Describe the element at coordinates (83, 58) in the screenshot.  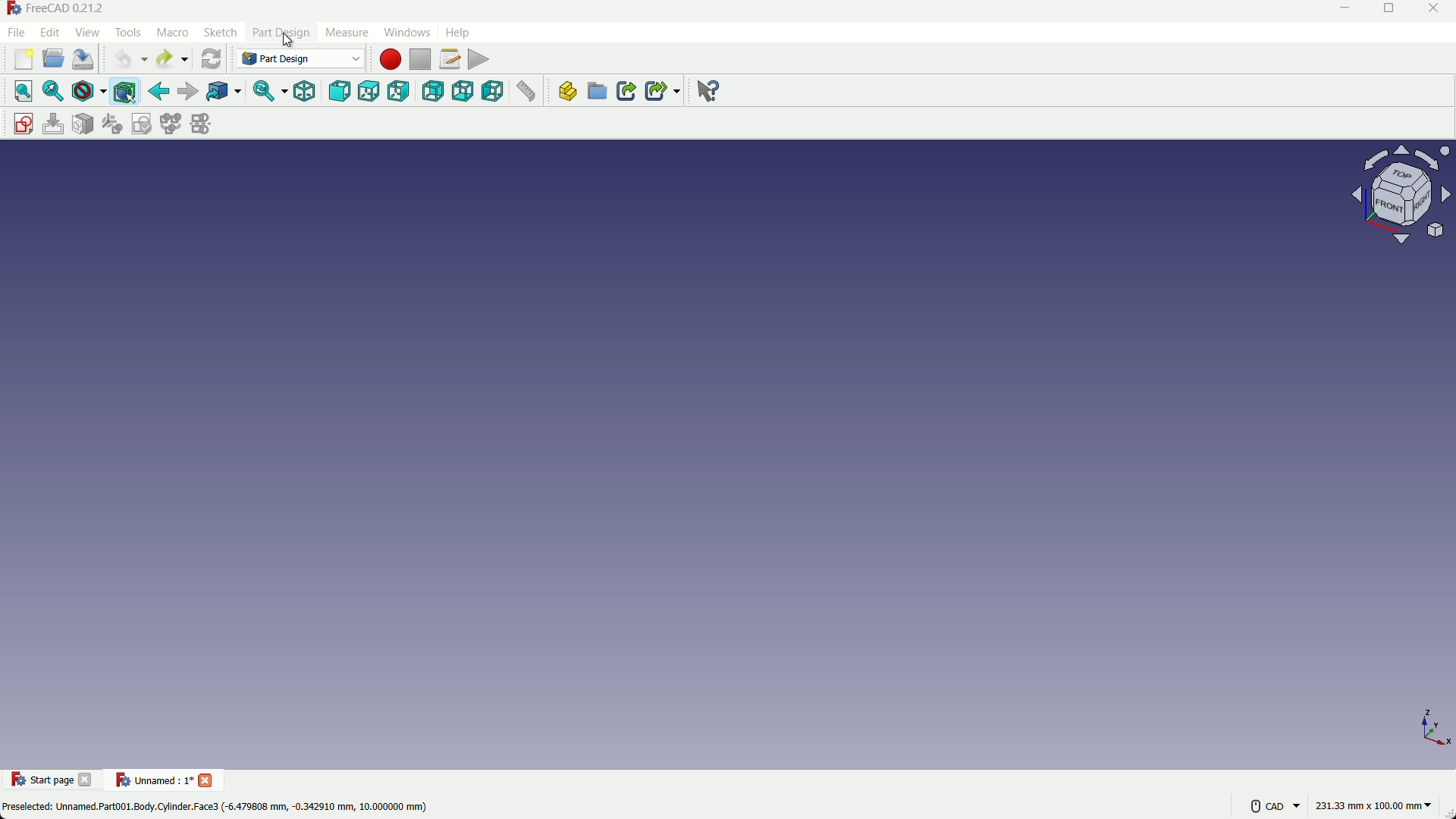
I see `save file` at that location.